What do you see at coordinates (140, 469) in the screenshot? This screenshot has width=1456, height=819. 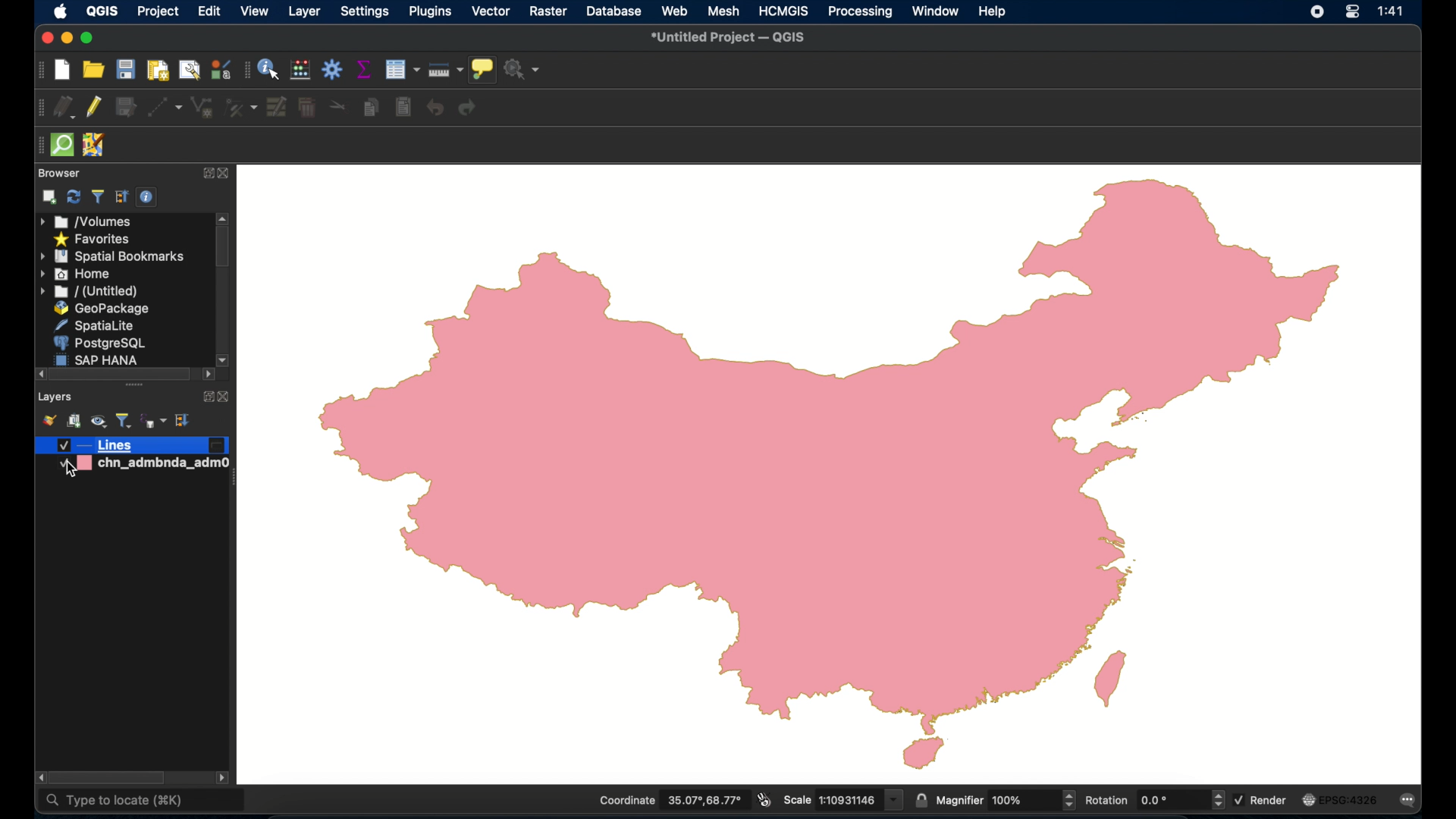 I see `chn_admbnda_adm0` at bounding box center [140, 469].